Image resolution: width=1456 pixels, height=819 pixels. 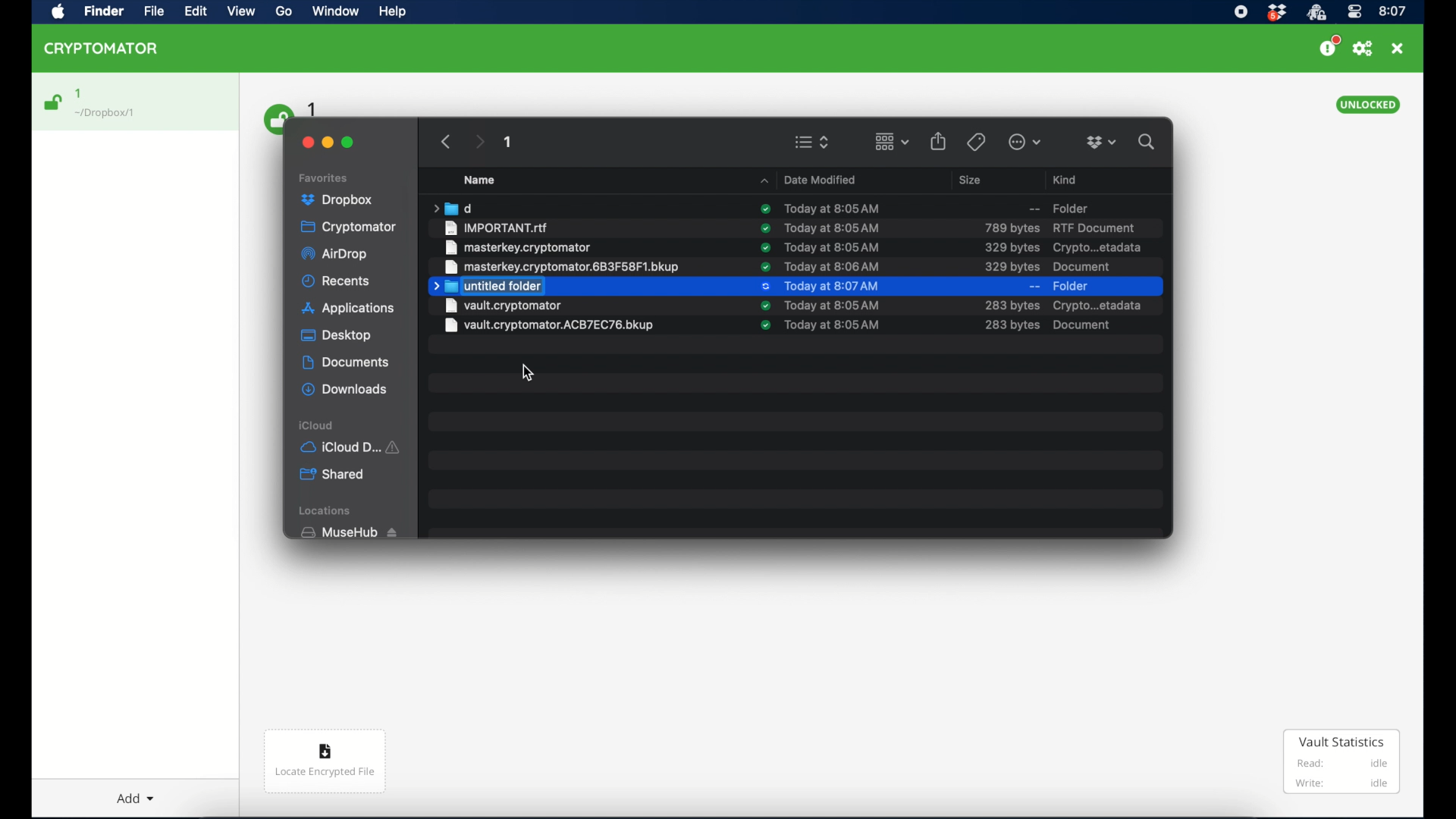 I want to click on sync, so click(x=765, y=227).